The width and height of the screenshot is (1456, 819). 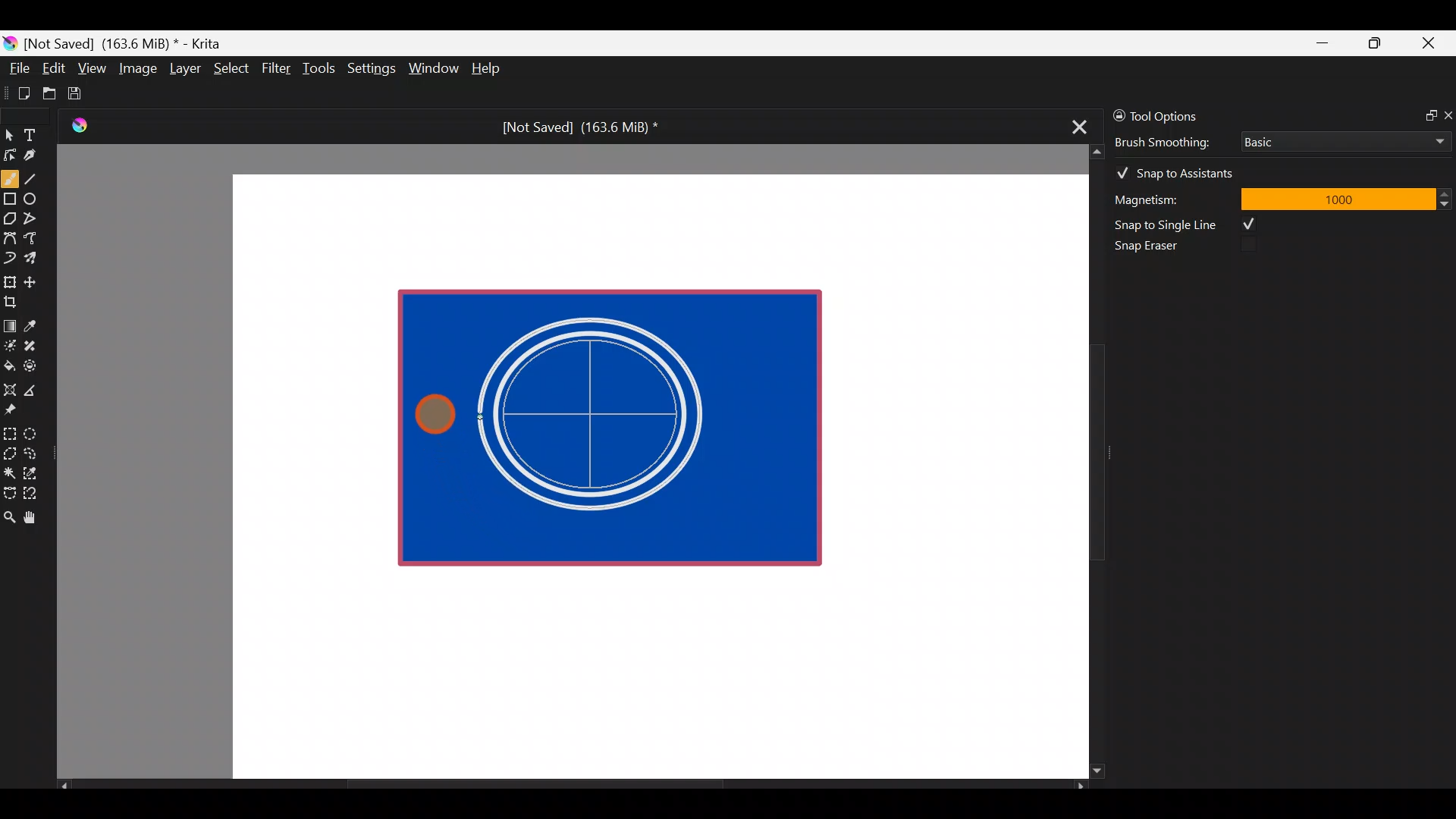 What do you see at coordinates (1341, 139) in the screenshot?
I see `Basic` at bounding box center [1341, 139].